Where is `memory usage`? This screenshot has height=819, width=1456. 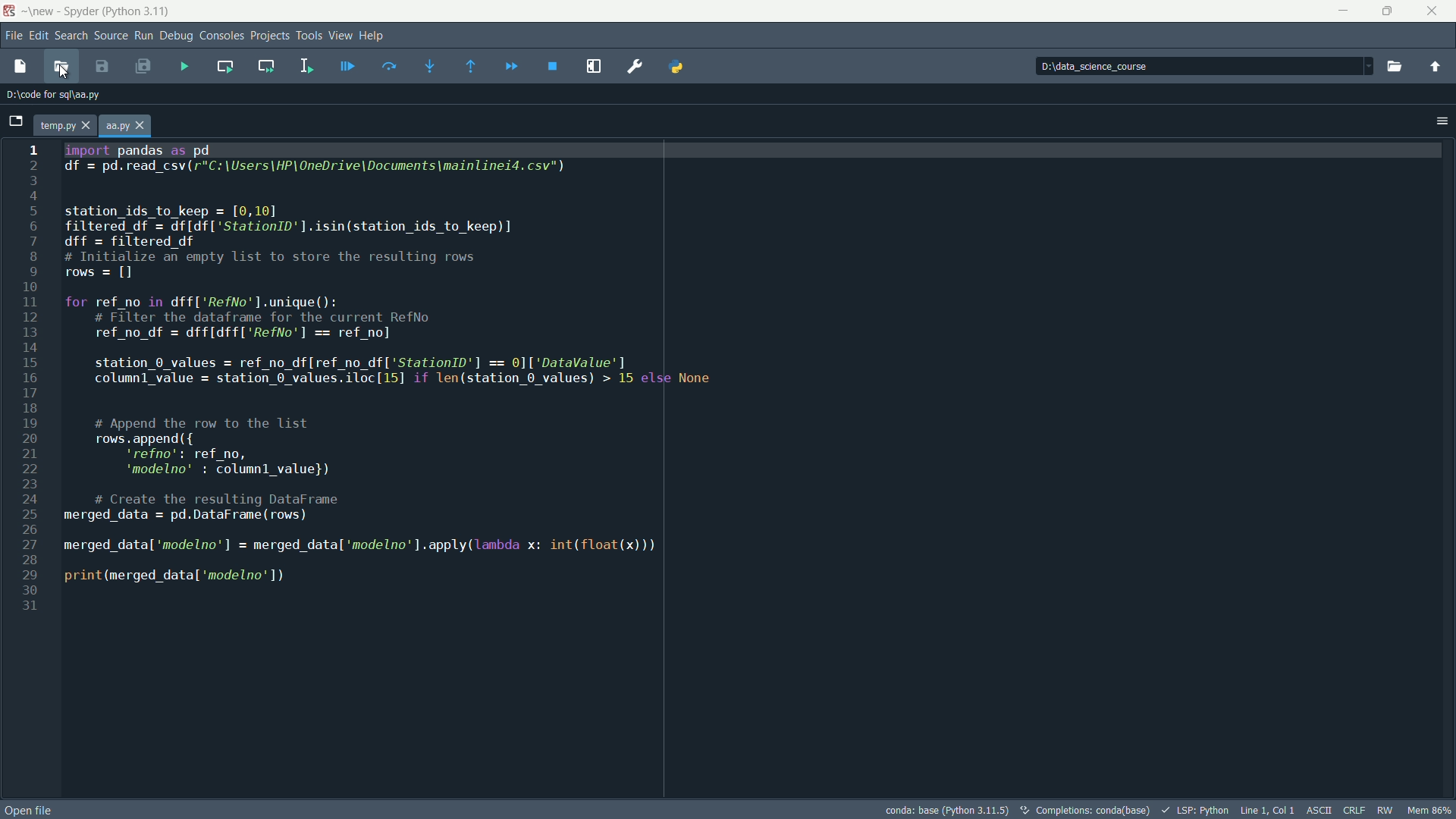
memory usage is located at coordinates (1430, 810).